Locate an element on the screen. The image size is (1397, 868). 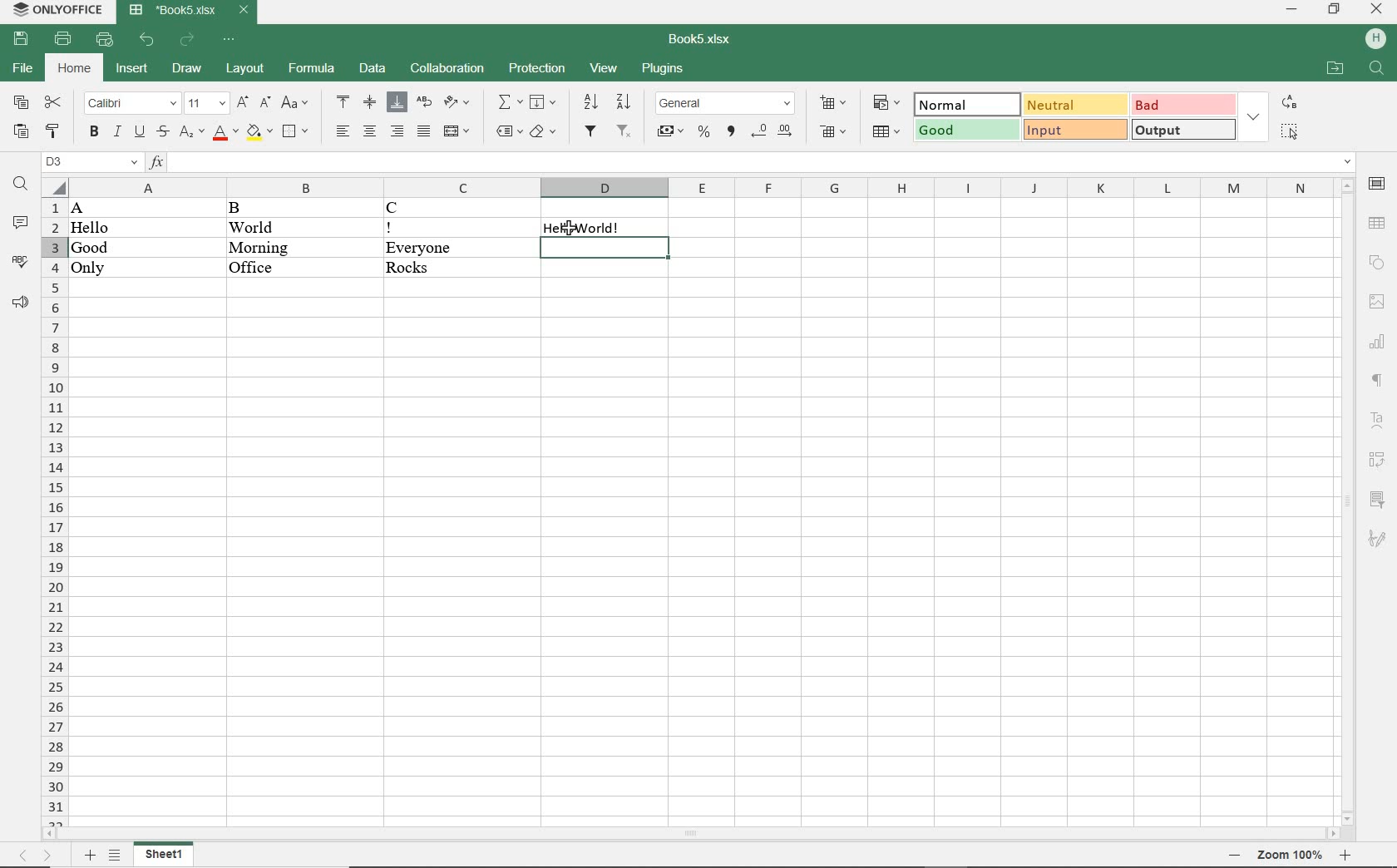
SCROLLBAR is located at coordinates (1346, 501).